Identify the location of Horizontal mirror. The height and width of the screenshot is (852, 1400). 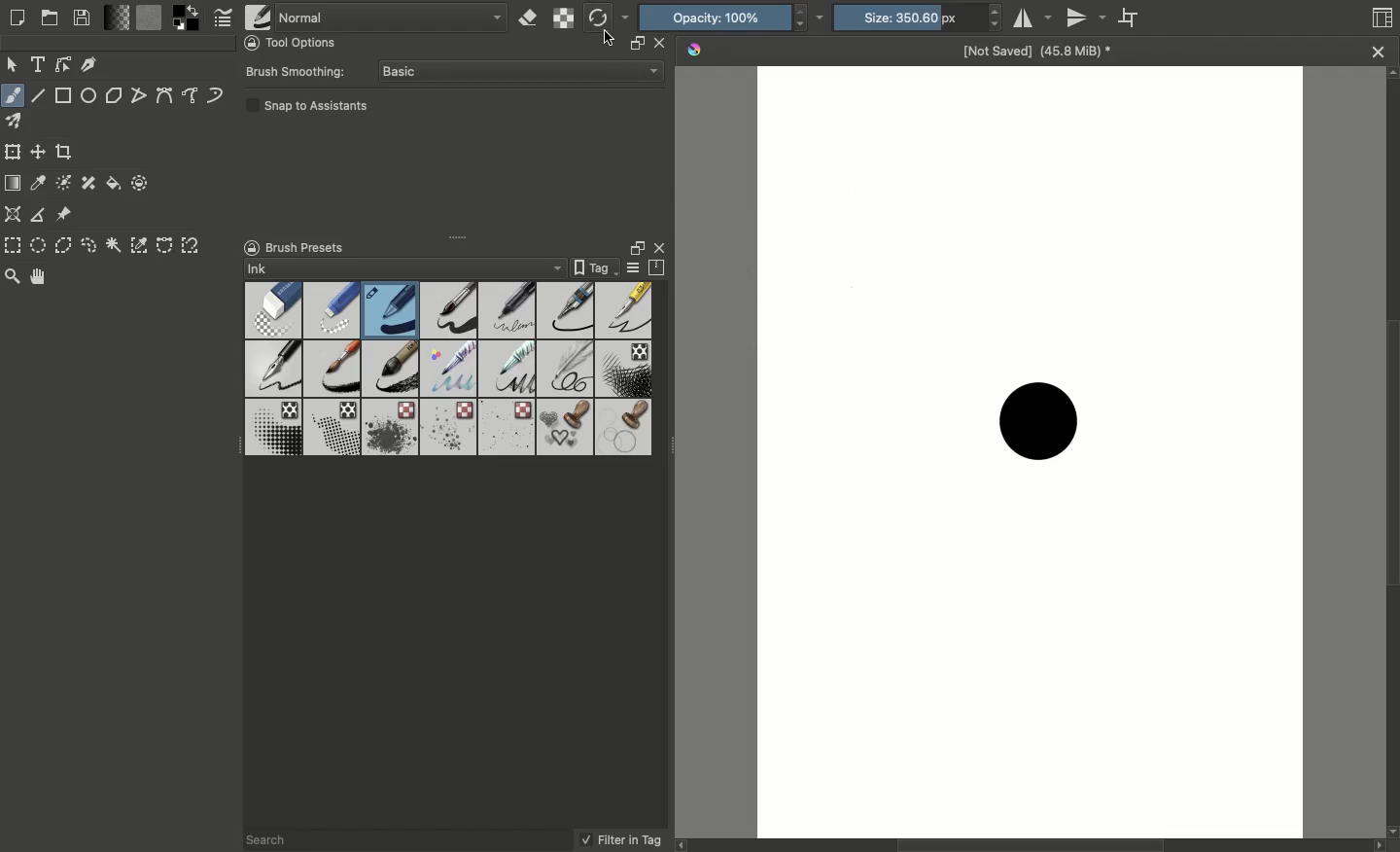
(1033, 19).